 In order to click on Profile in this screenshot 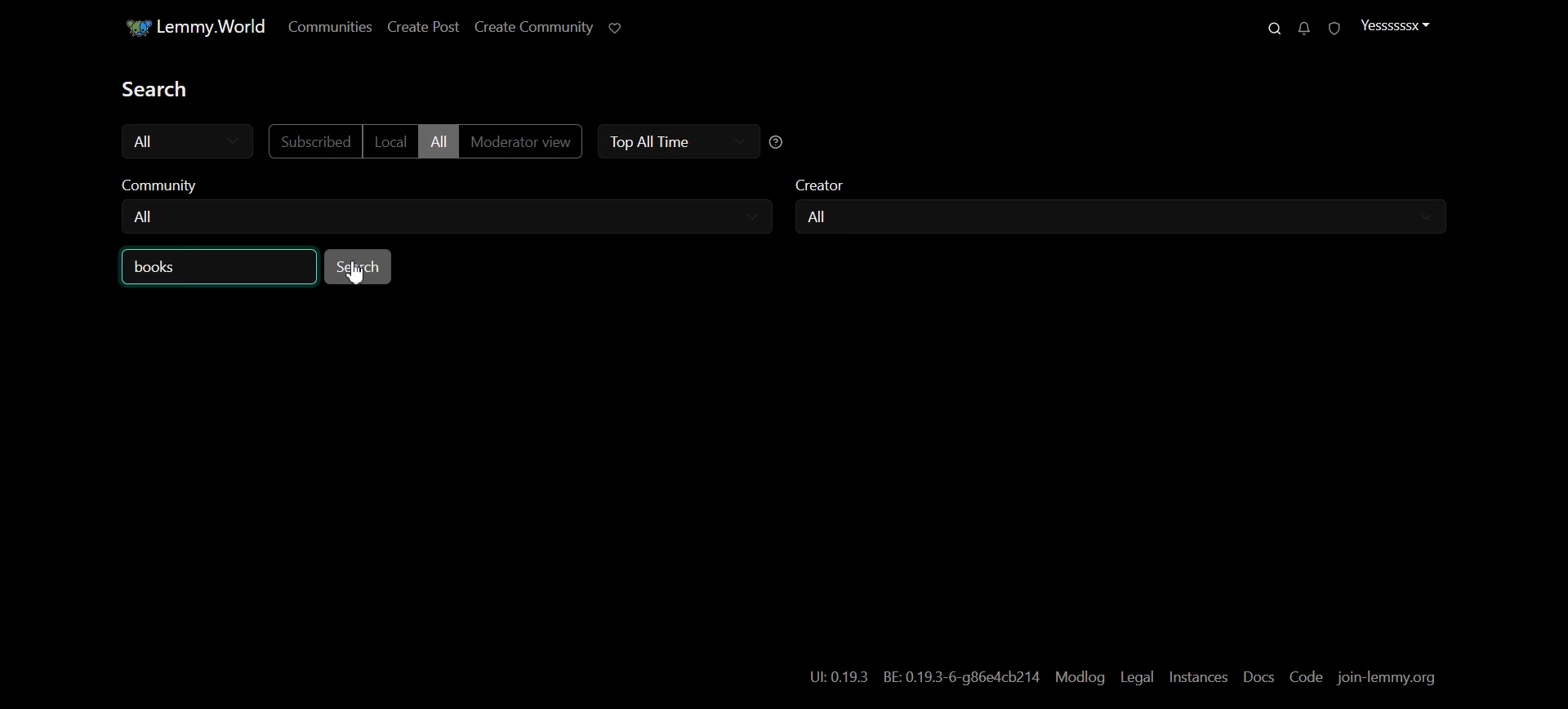, I will do `click(1392, 25)`.